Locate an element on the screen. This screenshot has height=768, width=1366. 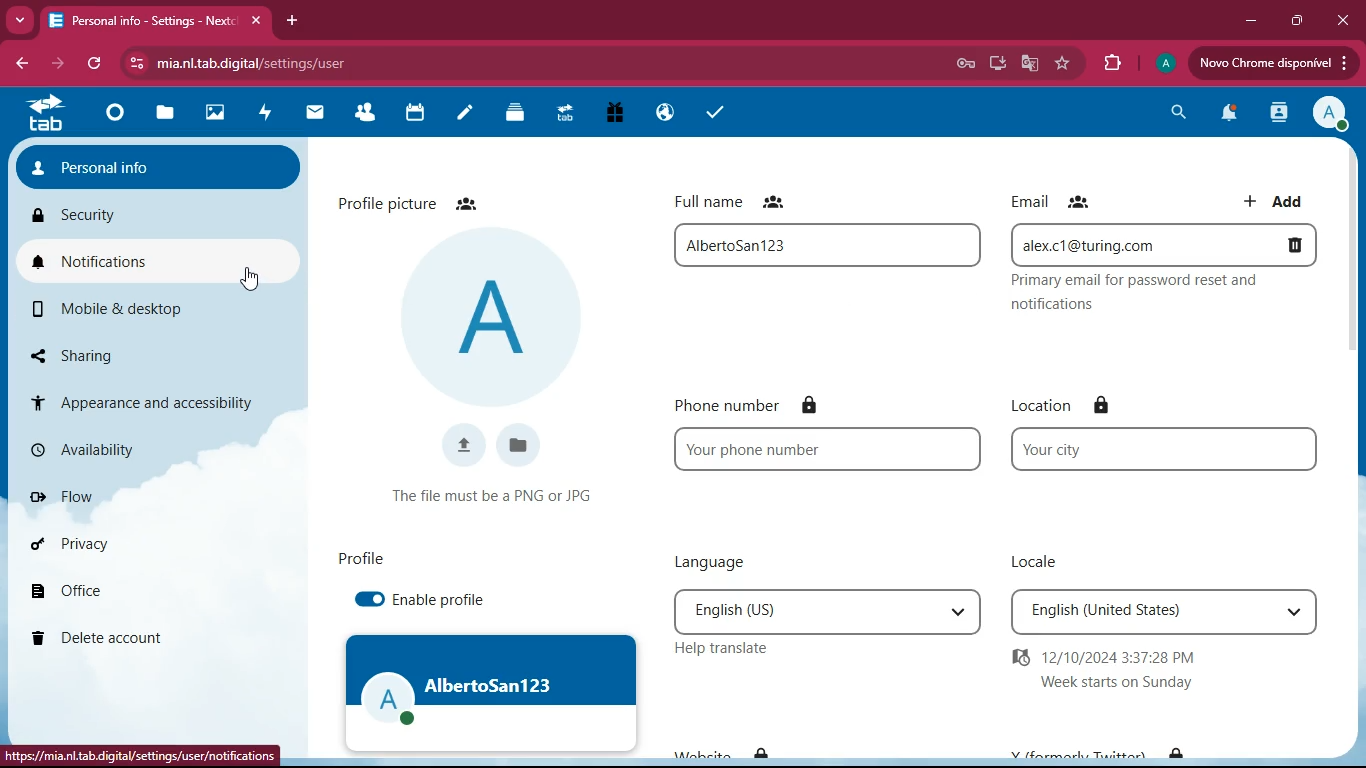
refresh is located at coordinates (93, 65).